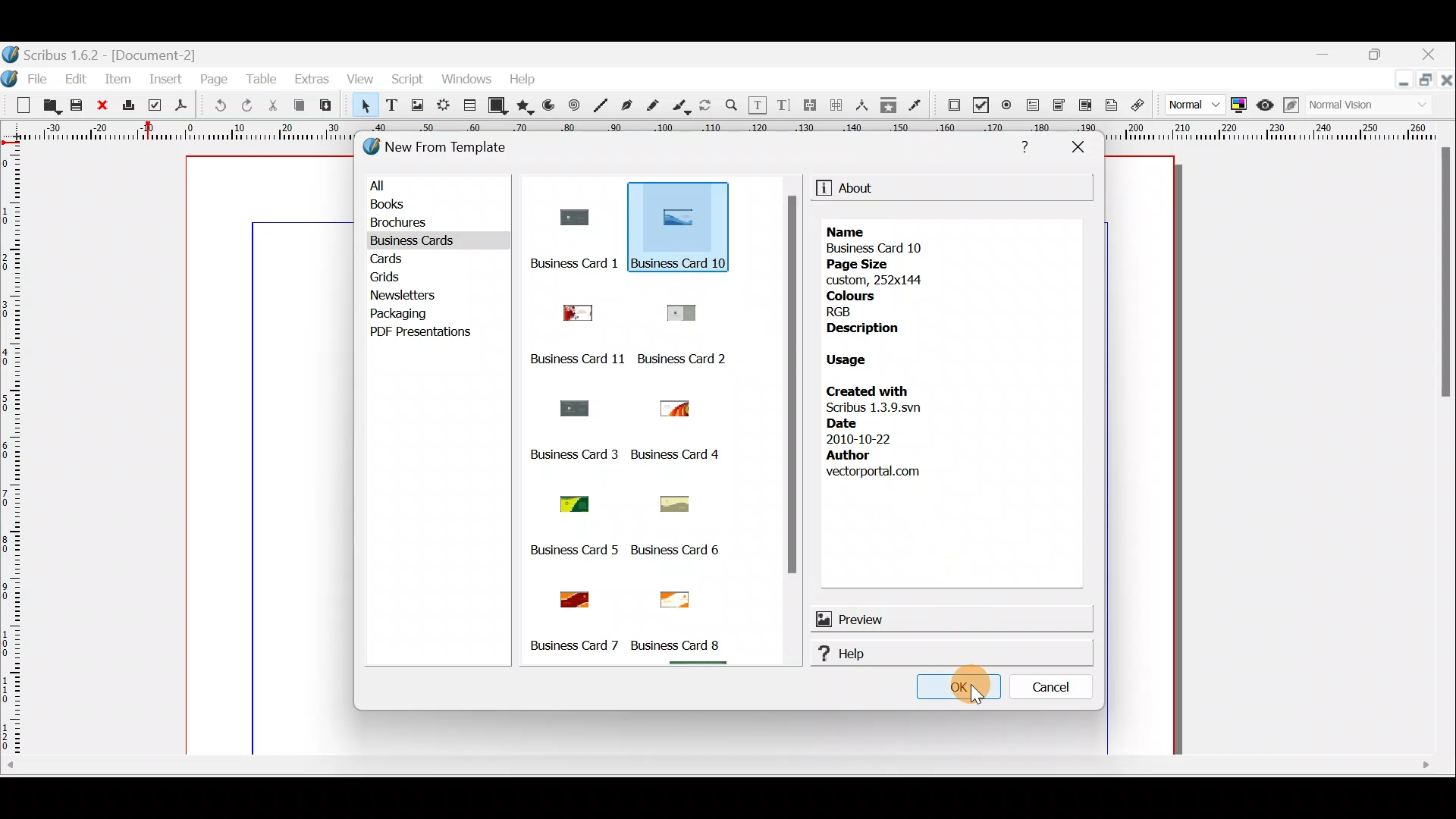  What do you see at coordinates (168, 79) in the screenshot?
I see `Insert` at bounding box center [168, 79].